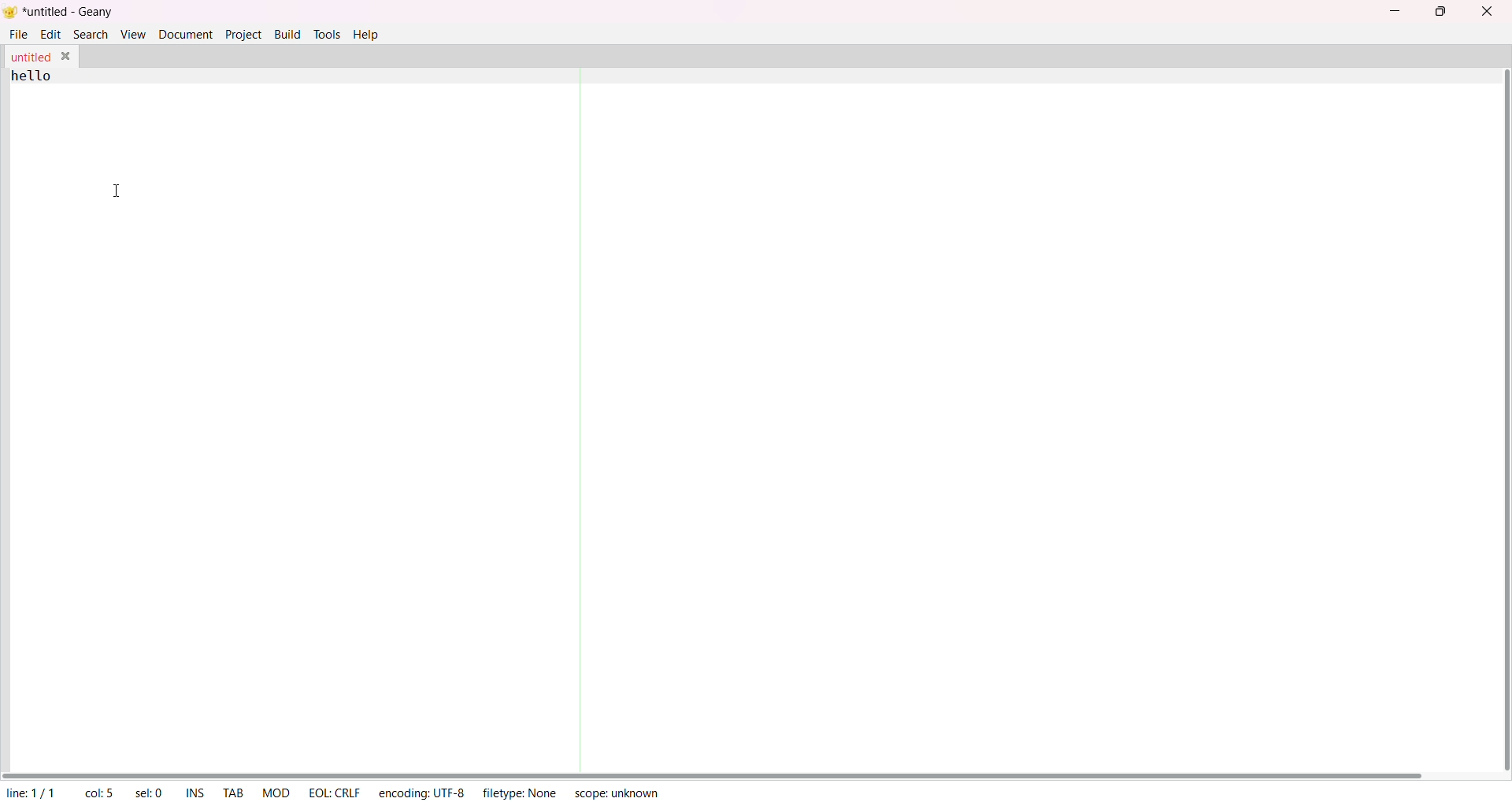 This screenshot has width=1512, height=802. What do you see at coordinates (235, 791) in the screenshot?
I see `tab` at bounding box center [235, 791].